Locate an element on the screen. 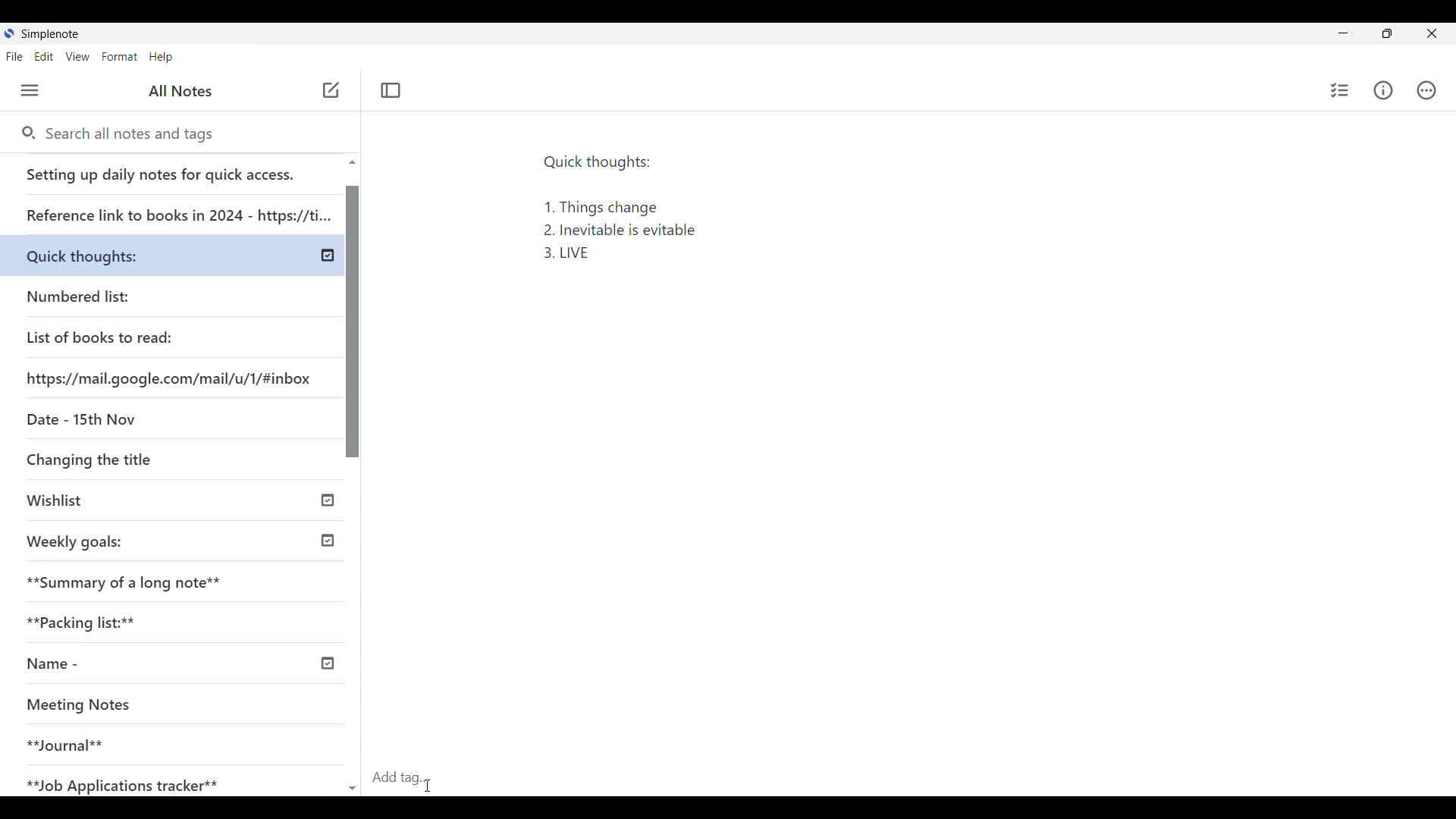  Date is located at coordinates (78, 418).